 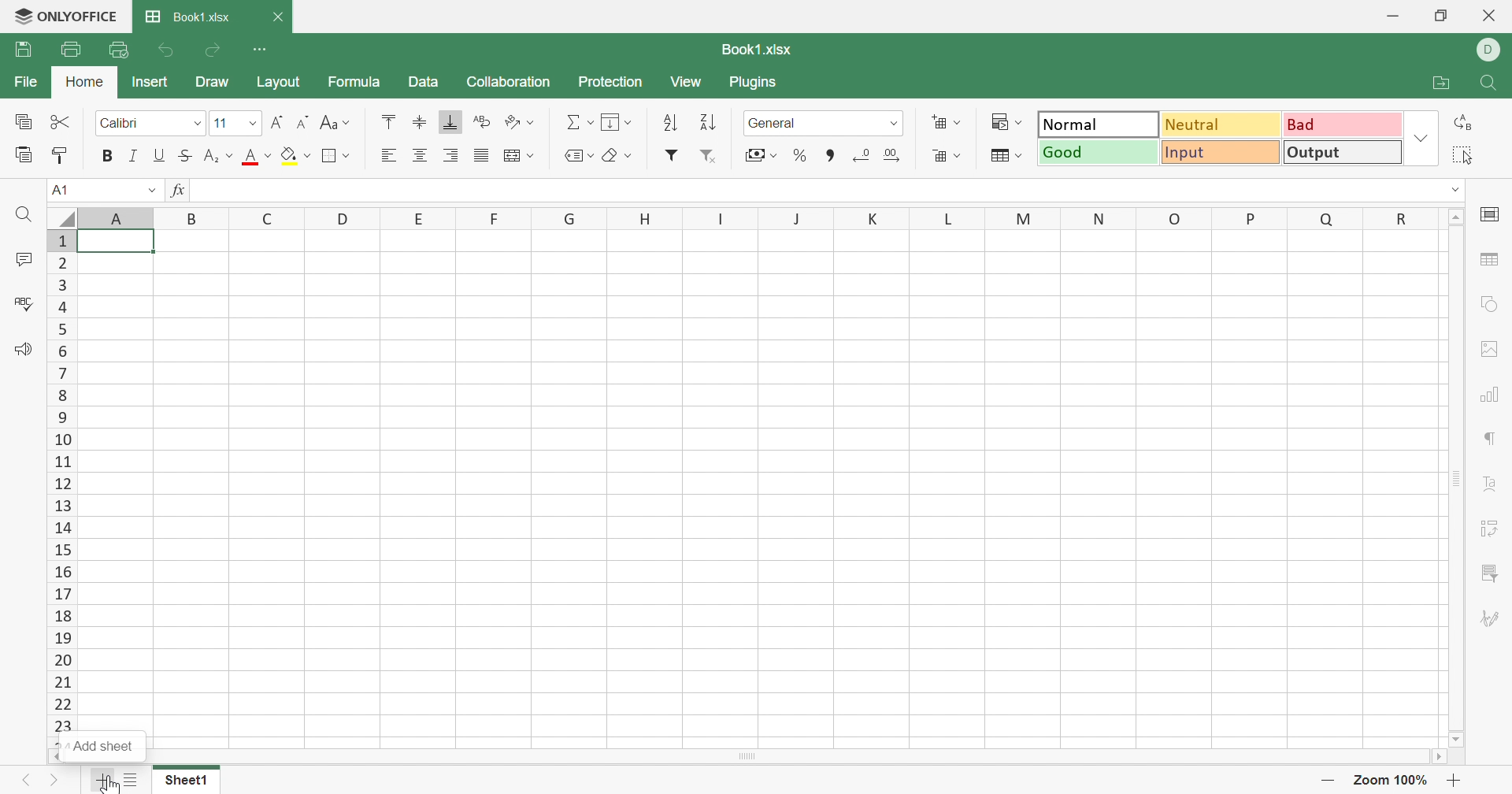 What do you see at coordinates (858, 153) in the screenshot?
I see `Decrease decimal` at bounding box center [858, 153].